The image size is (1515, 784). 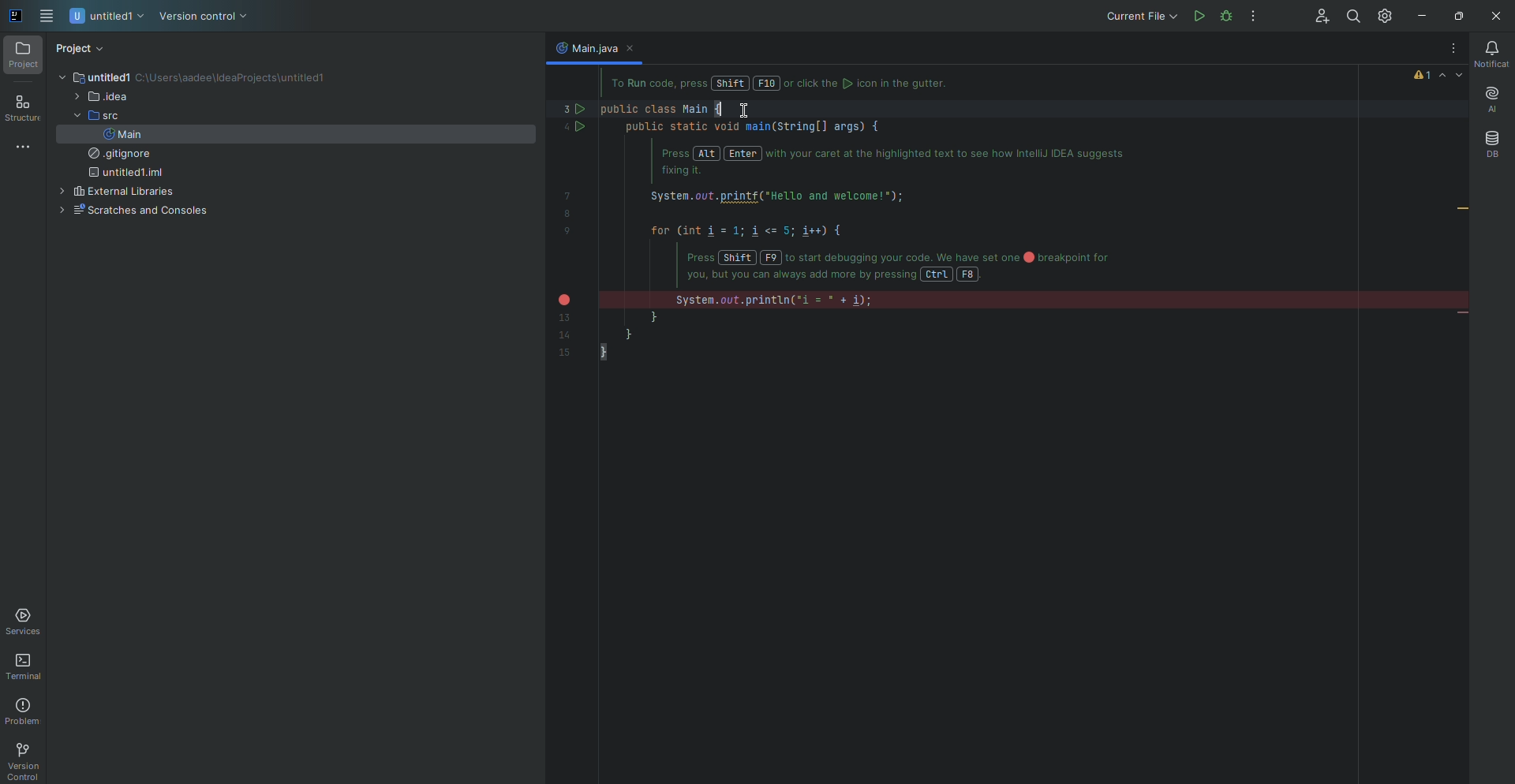 What do you see at coordinates (17, 17) in the screenshot?
I see `IntelliJ` at bounding box center [17, 17].